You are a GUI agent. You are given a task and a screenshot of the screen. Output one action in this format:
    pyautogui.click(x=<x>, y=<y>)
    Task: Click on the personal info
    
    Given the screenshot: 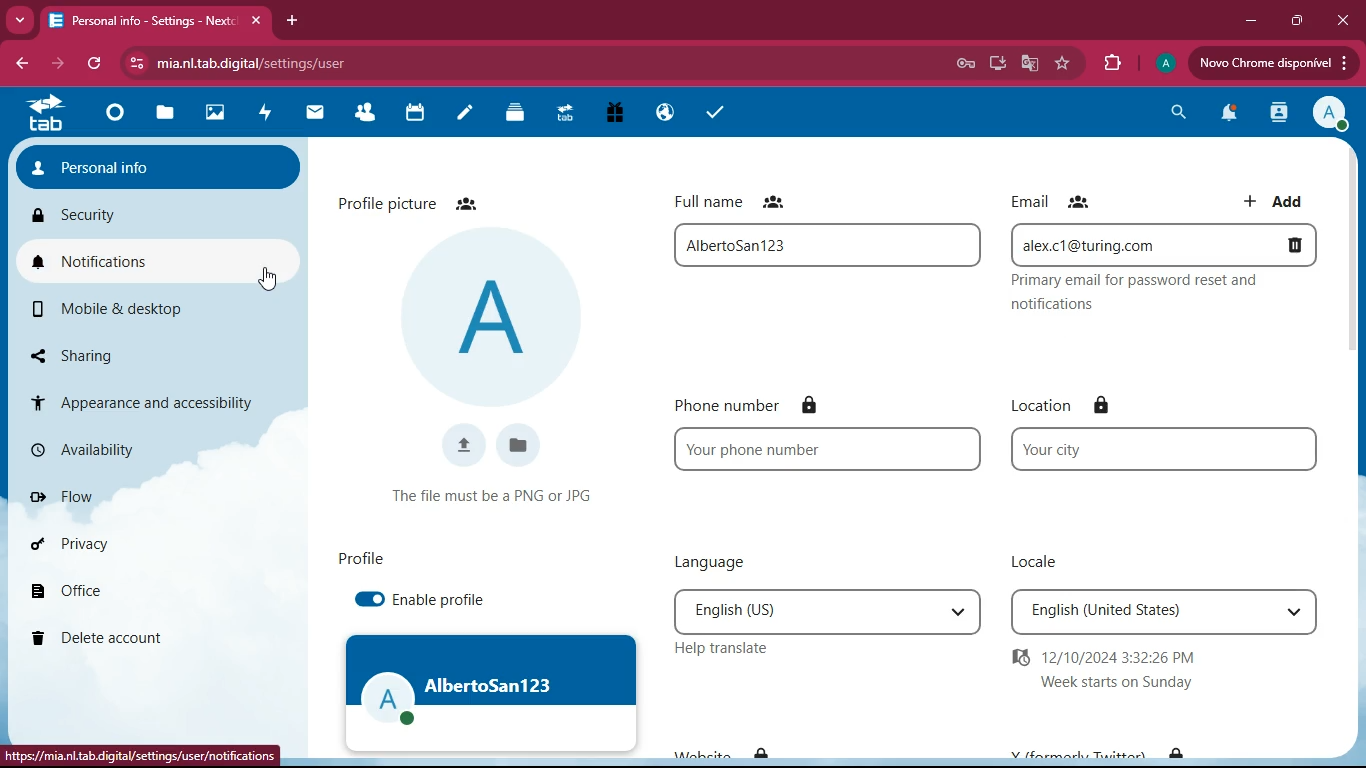 What is the action you would take?
    pyautogui.click(x=152, y=166)
    